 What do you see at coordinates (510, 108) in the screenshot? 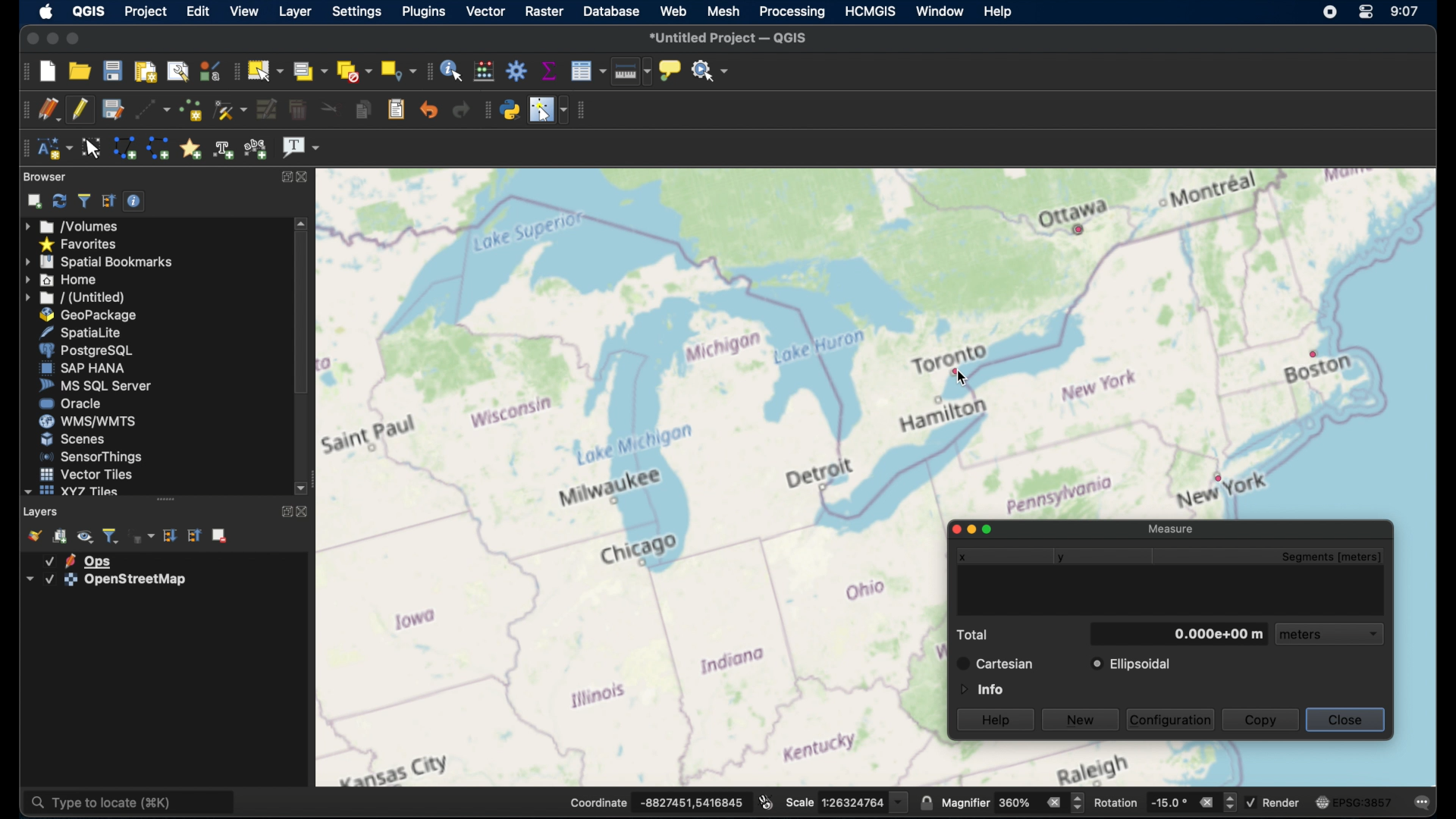
I see `python console` at bounding box center [510, 108].